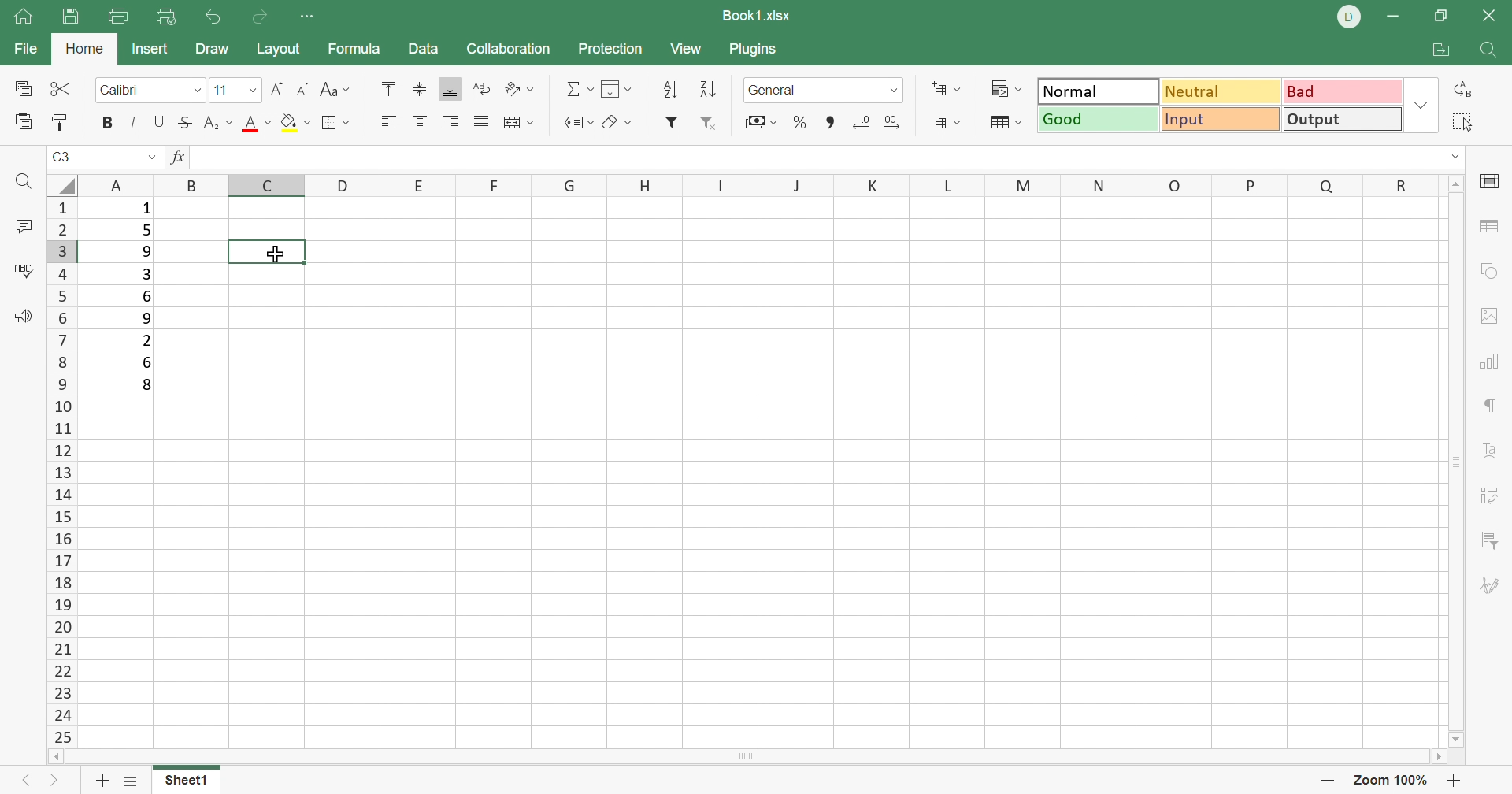  Describe the element at coordinates (1495, 405) in the screenshot. I see `paragraph settings` at that location.